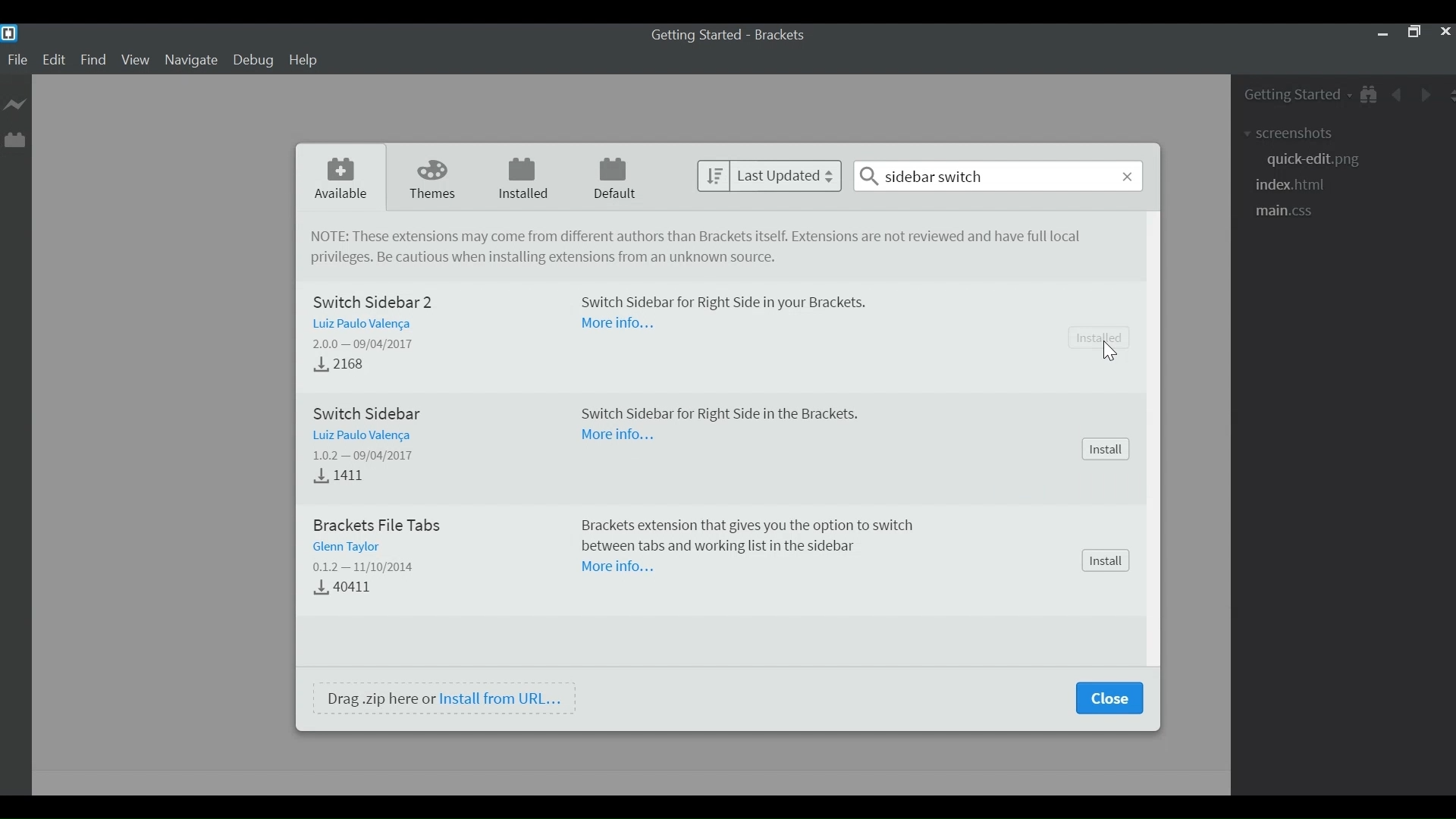 Image resolution: width=1456 pixels, height=819 pixels. I want to click on more Information, so click(616, 568).